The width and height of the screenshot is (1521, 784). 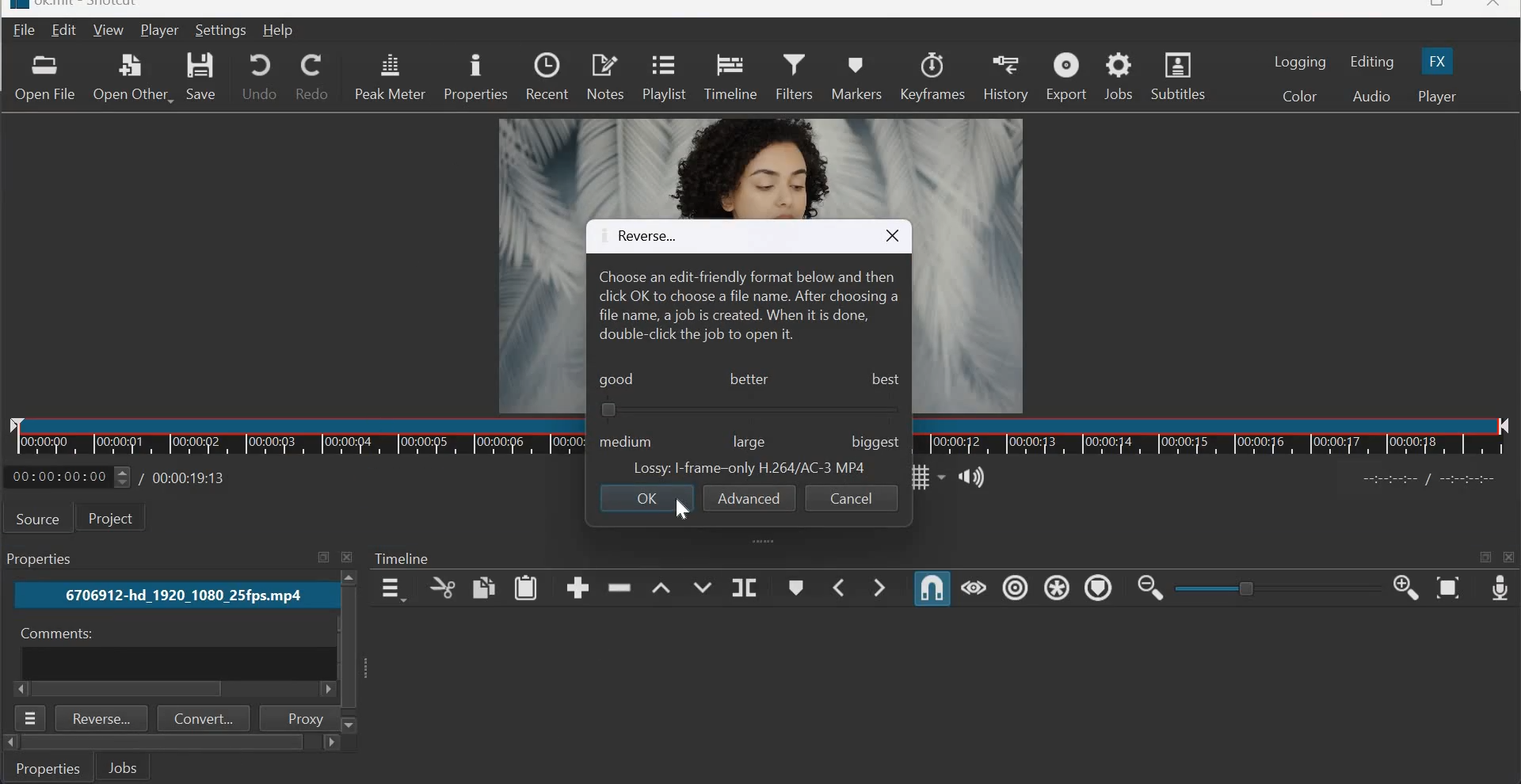 What do you see at coordinates (1015, 588) in the screenshot?
I see `Ripple` at bounding box center [1015, 588].